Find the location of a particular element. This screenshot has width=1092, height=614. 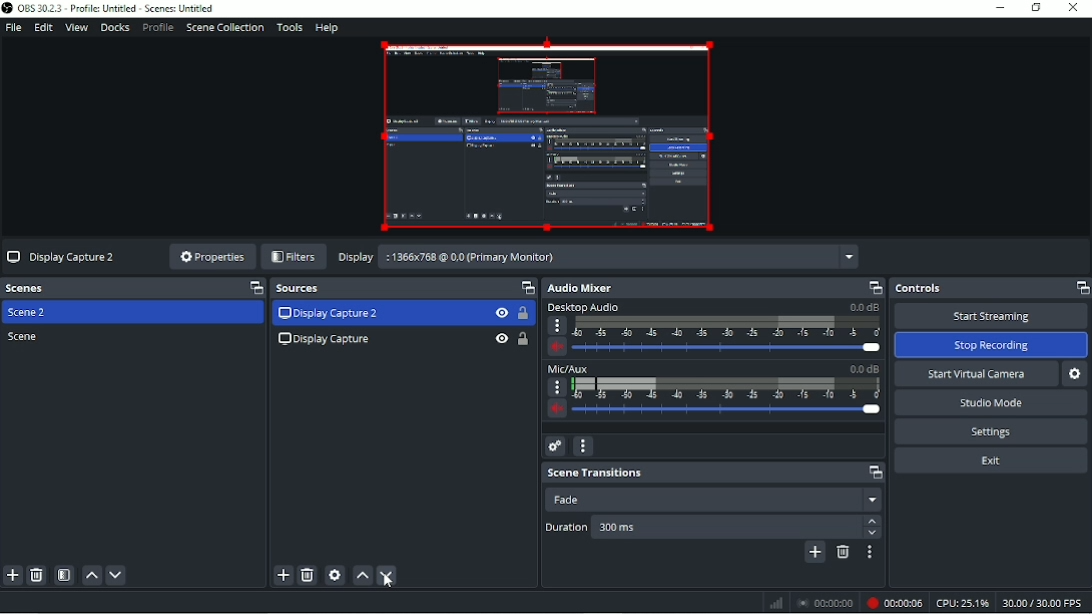

Exit is located at coordinates (990, 460).